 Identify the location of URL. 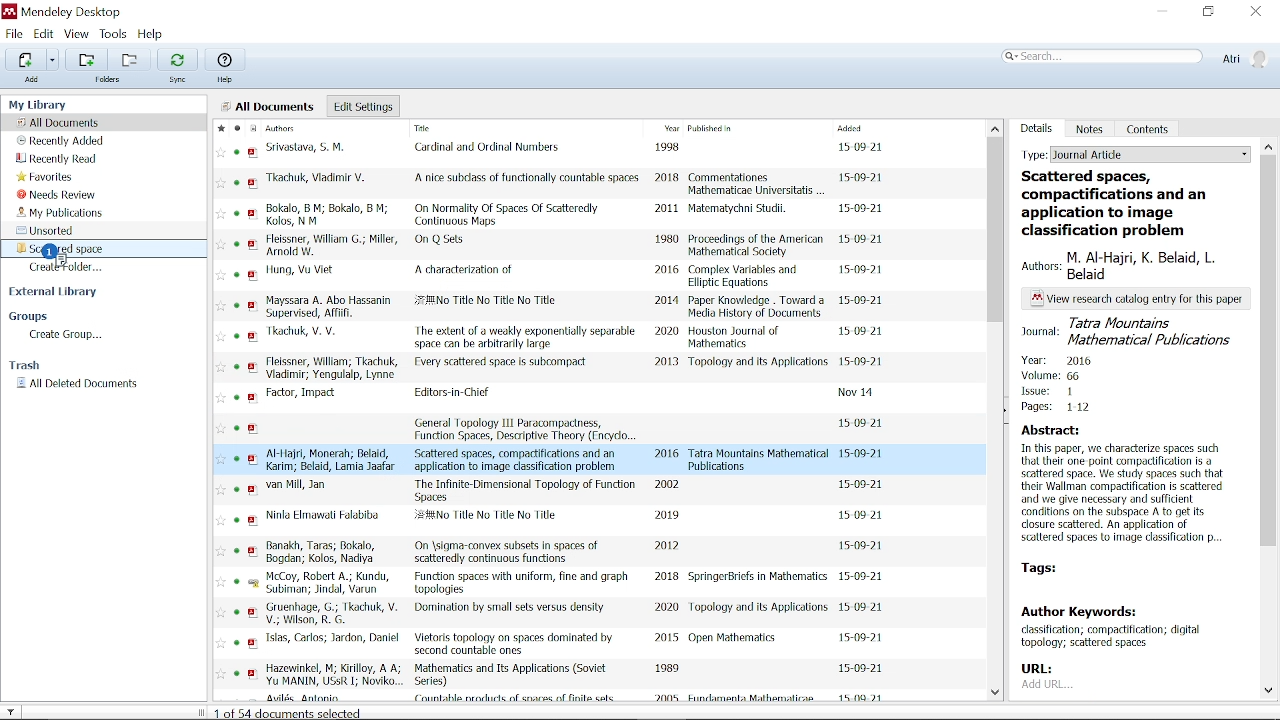
(1045, 678).